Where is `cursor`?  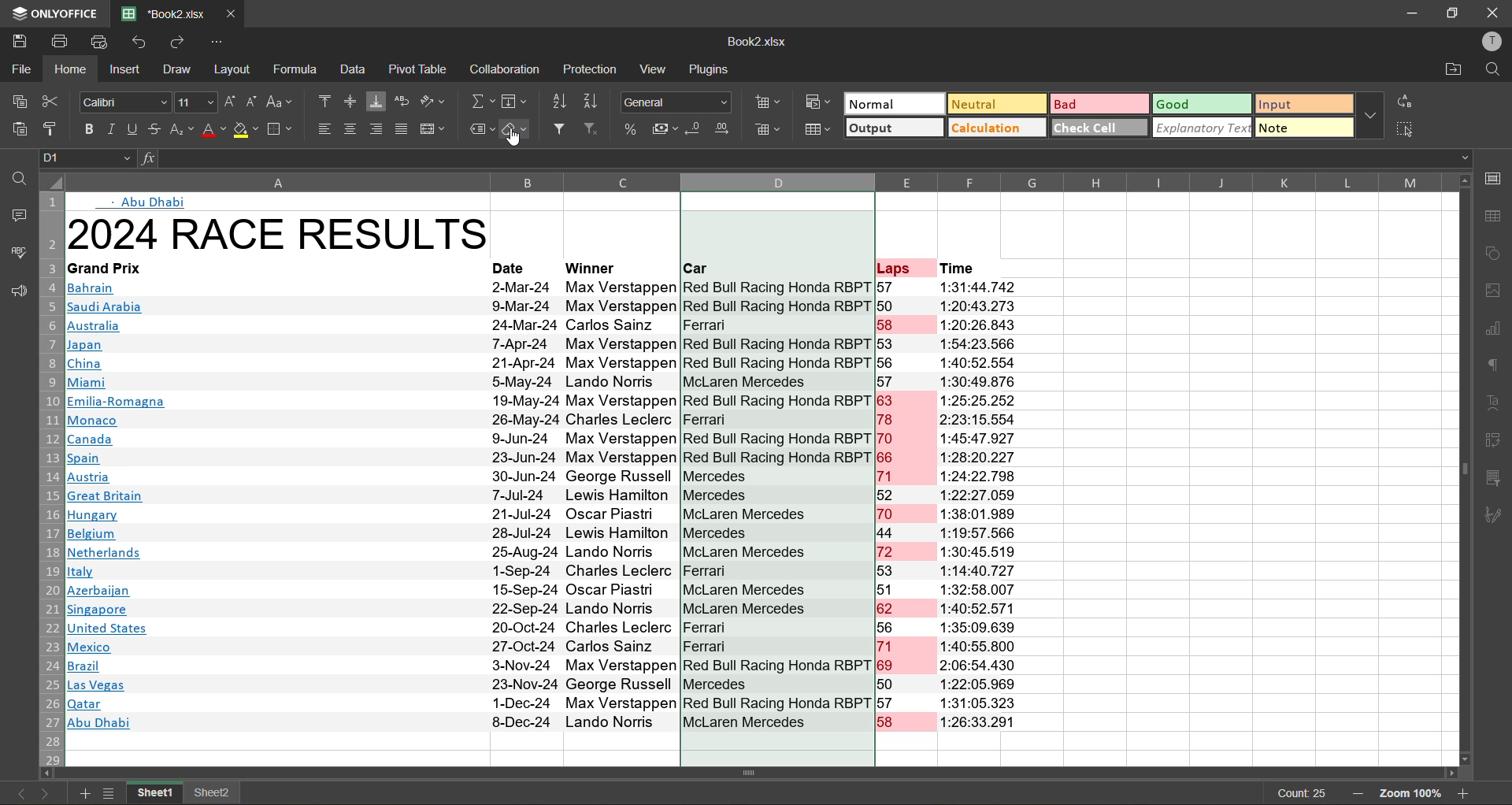
cursor is located at coordinates (517, 137).